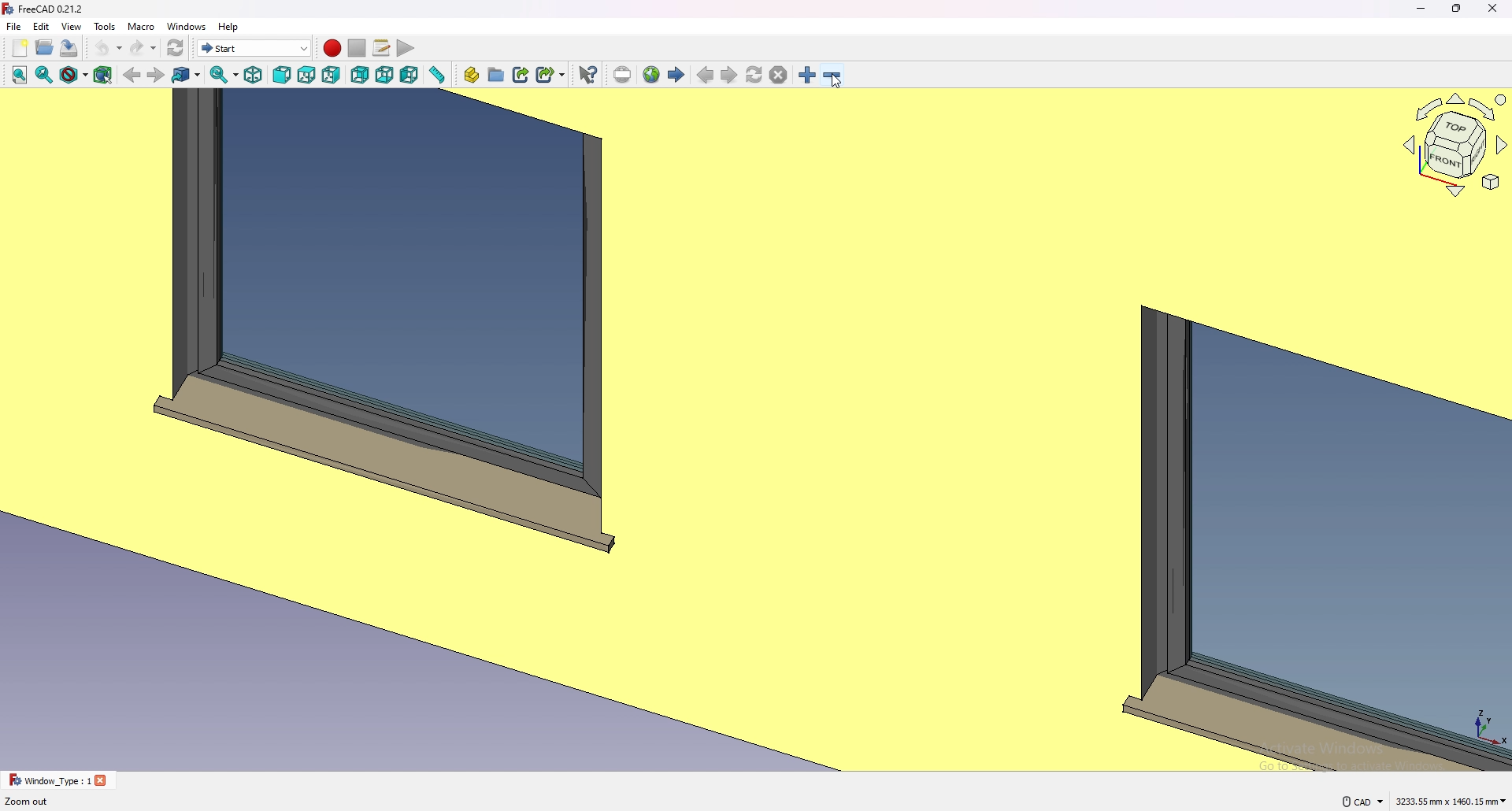  Describe the element at coordinates (436, 75) in the screenshot. I see `measure distance` at that location.